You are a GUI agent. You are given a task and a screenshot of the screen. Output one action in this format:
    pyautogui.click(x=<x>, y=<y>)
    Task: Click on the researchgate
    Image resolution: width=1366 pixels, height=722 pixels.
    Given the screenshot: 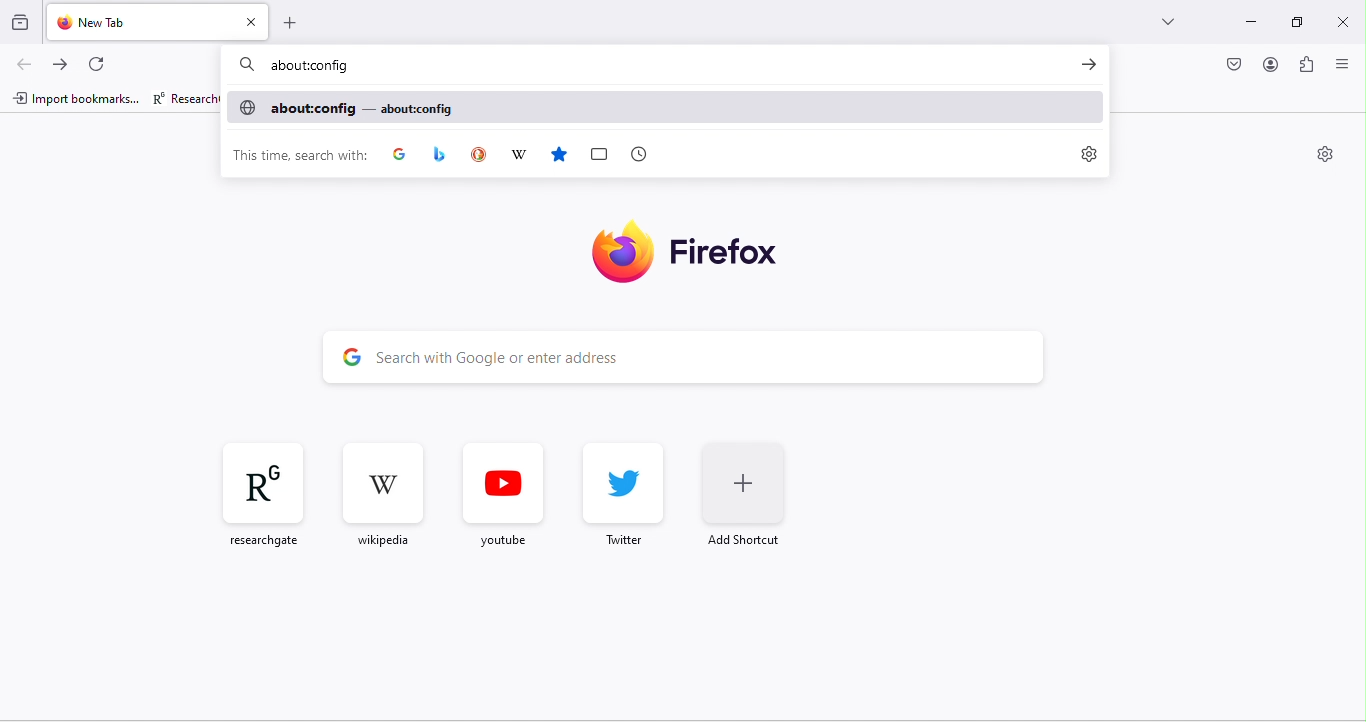 What is the action you would take?
    pyautogui.click(x=185, y=99)
    